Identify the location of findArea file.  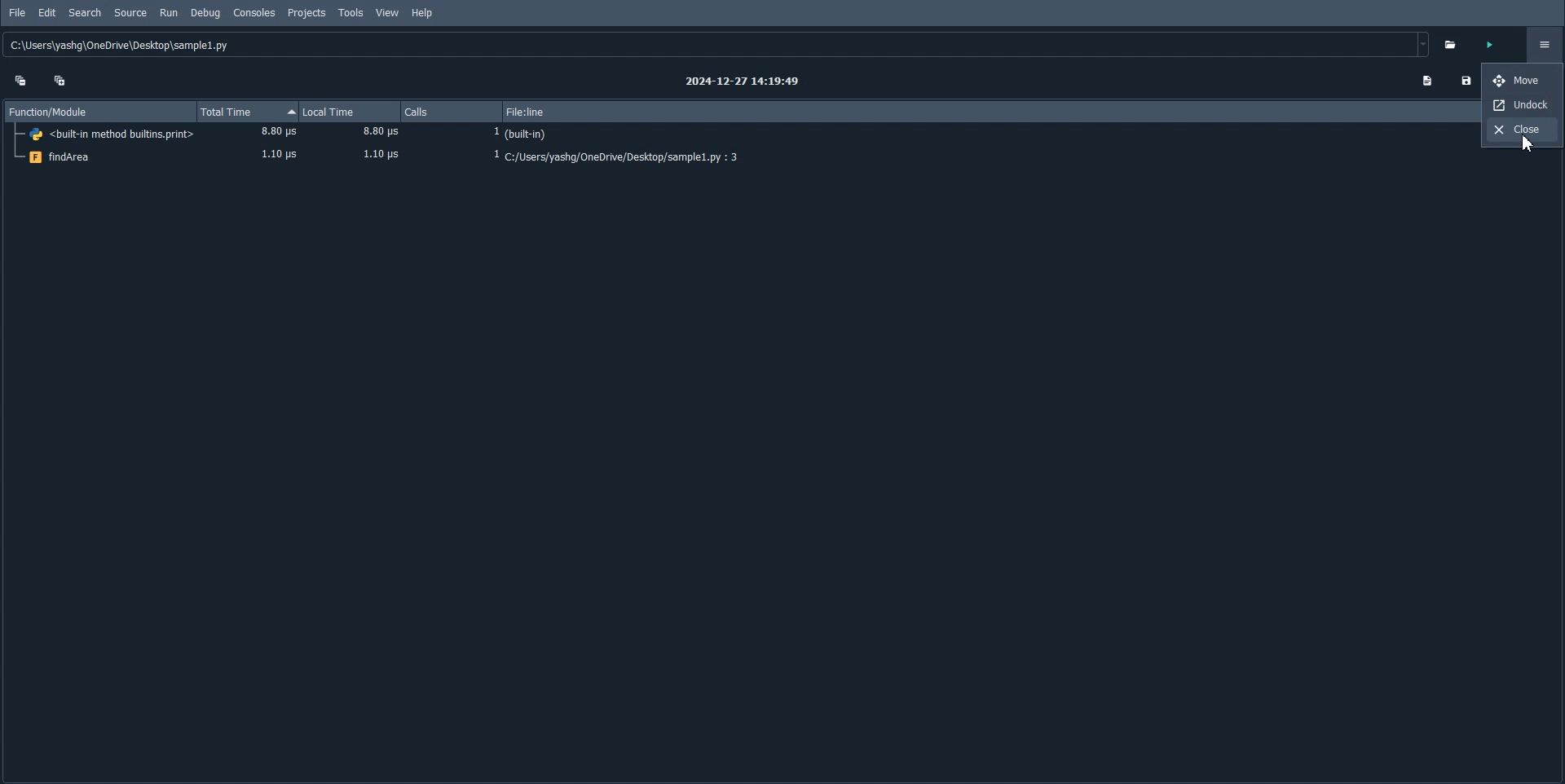
(739, 158).